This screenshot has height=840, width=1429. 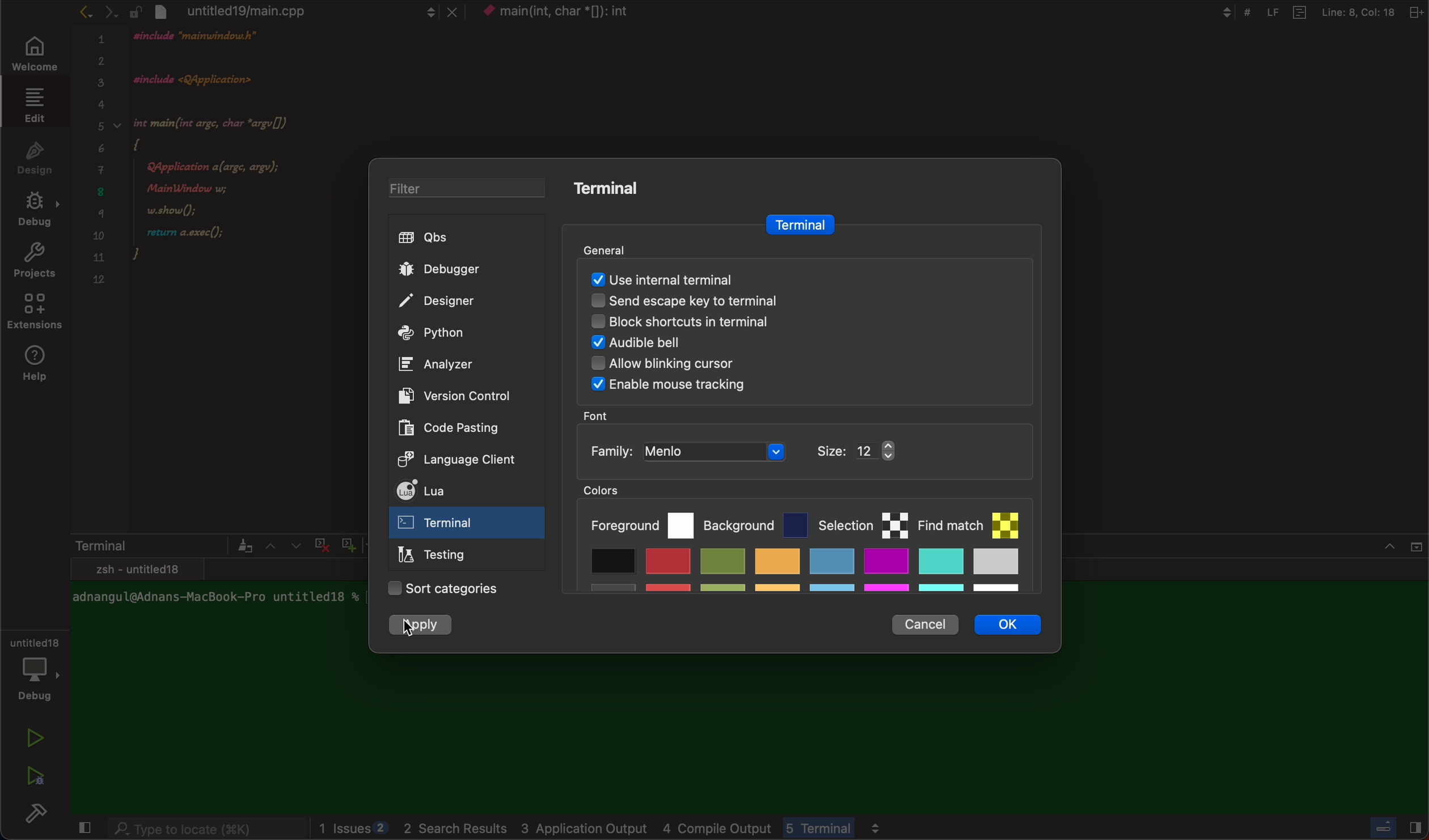 What do you see at coordinates (467, 525) in the screenshot?
I see `on mouse down` at bounding box center [467, 525].